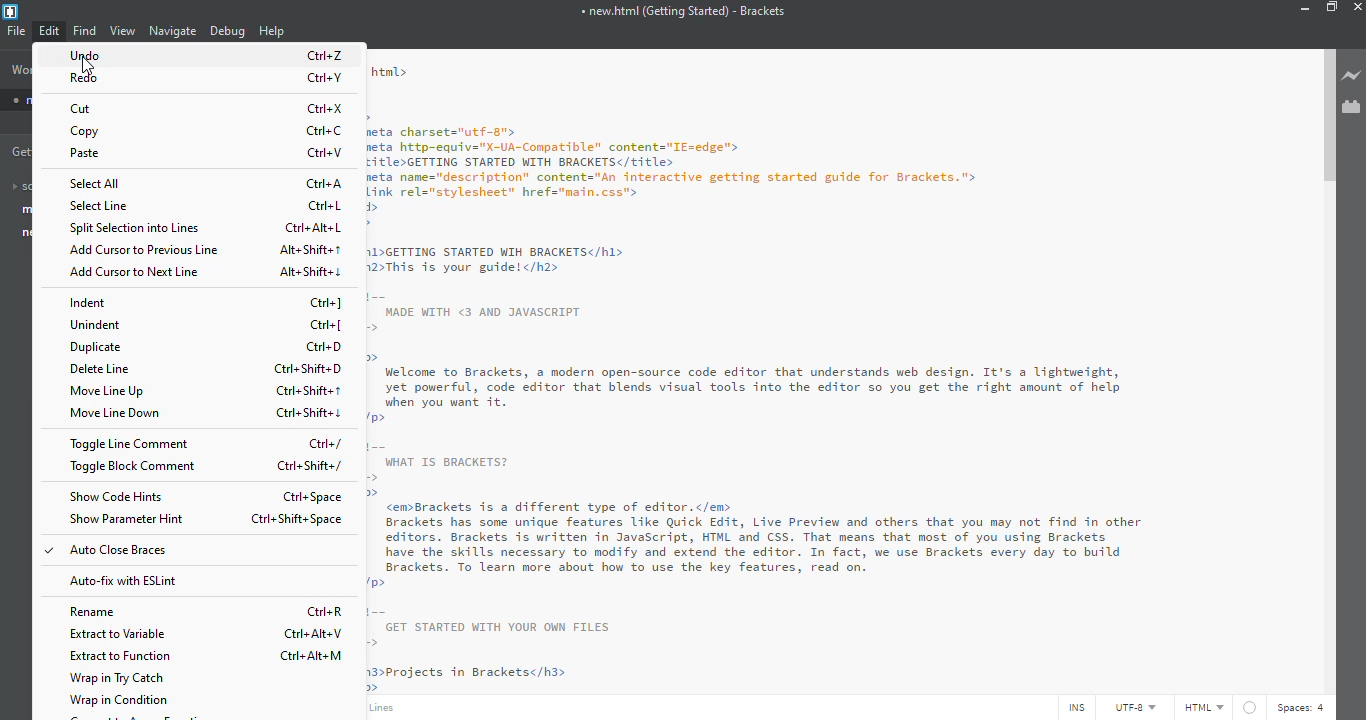 The height and width of the screenshot is (720, 1366). What do you see at coordinates (330, 326) in the screenshot?
I see `ctrl+[` at bounding box center [330, 326].